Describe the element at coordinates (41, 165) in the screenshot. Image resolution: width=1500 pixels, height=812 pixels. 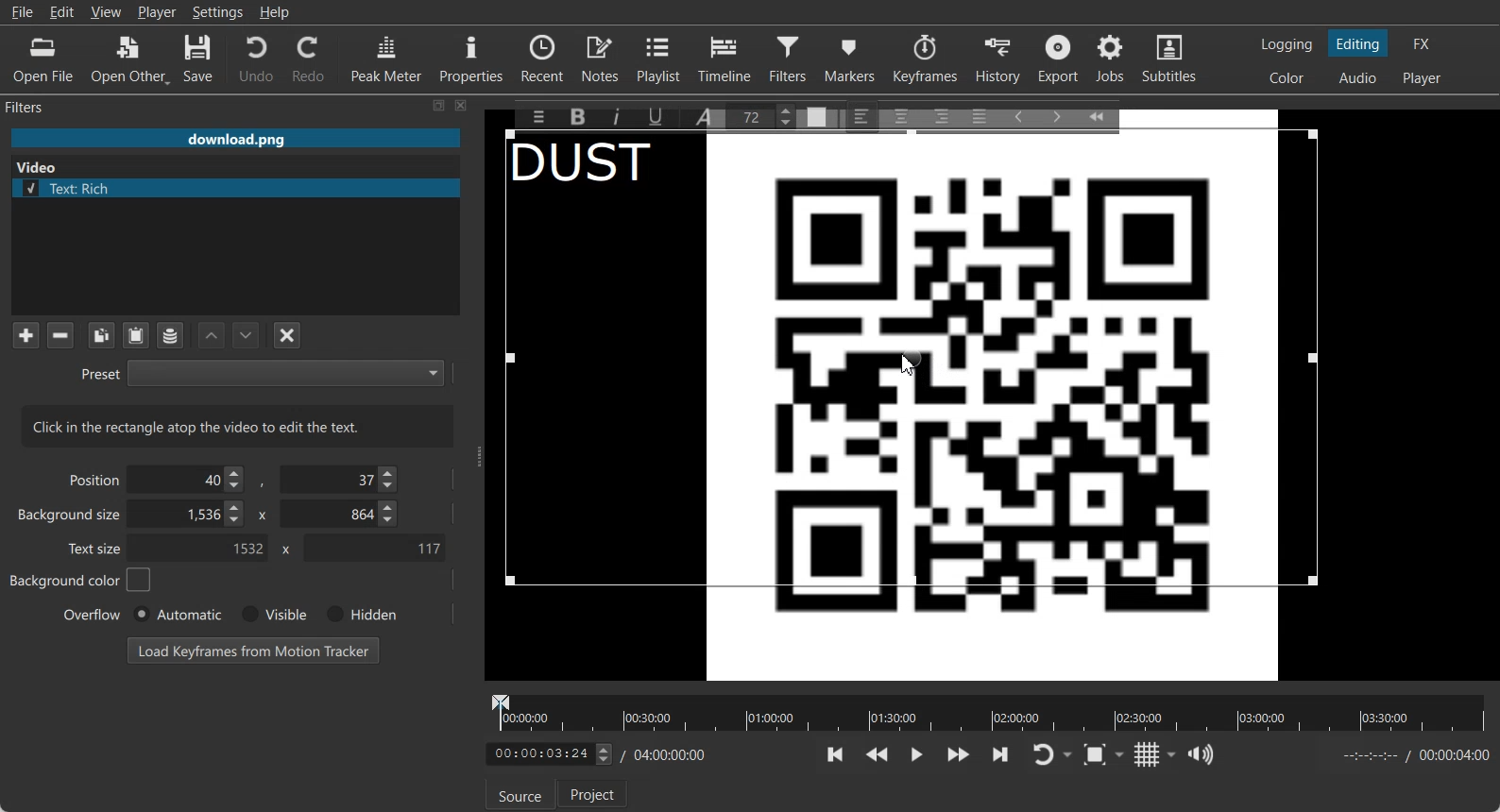
I see `Video` at that location.